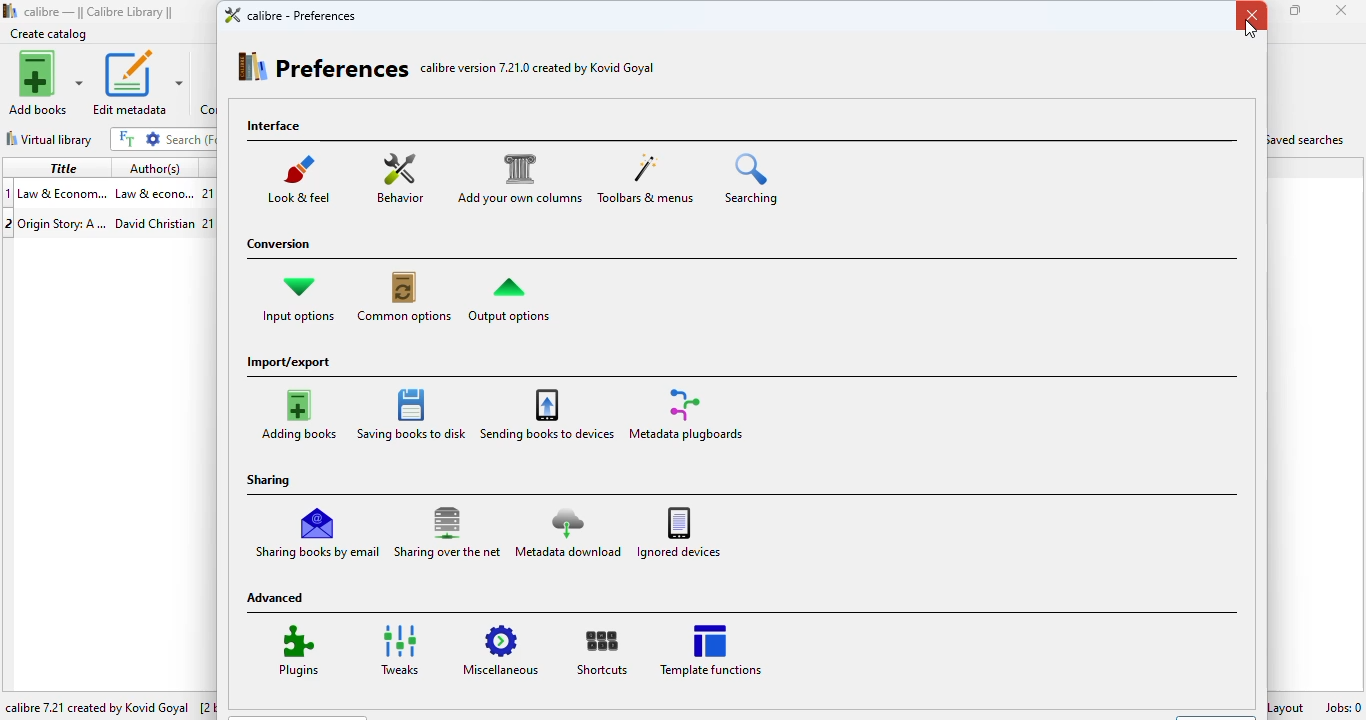 The image size is (1366, 720). Describe the element at coordinates (710, 649) in the screenshot. I see `template functions` at that location.